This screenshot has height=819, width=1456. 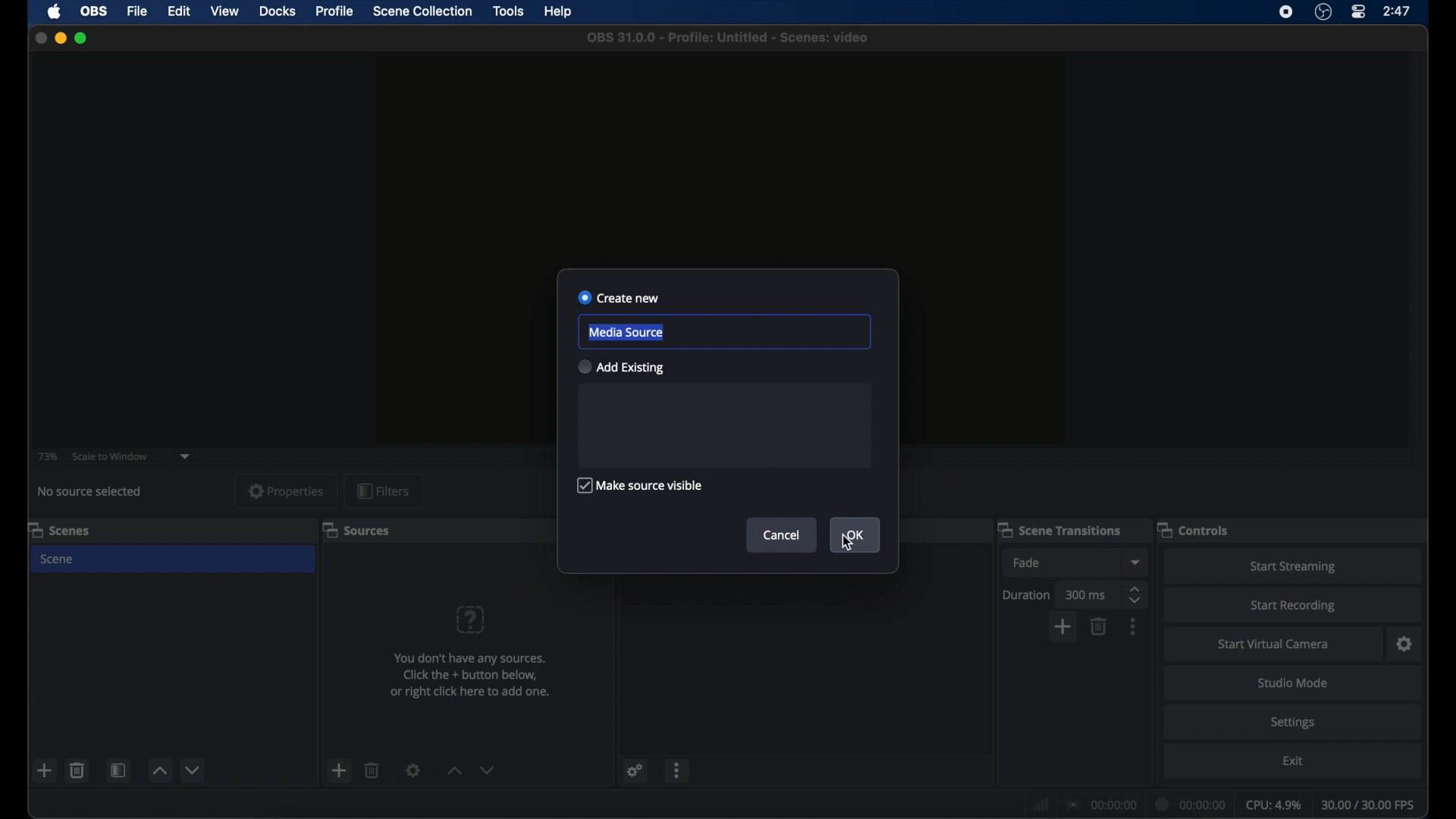 I want to click on fps, so click(x=1368, y=804).